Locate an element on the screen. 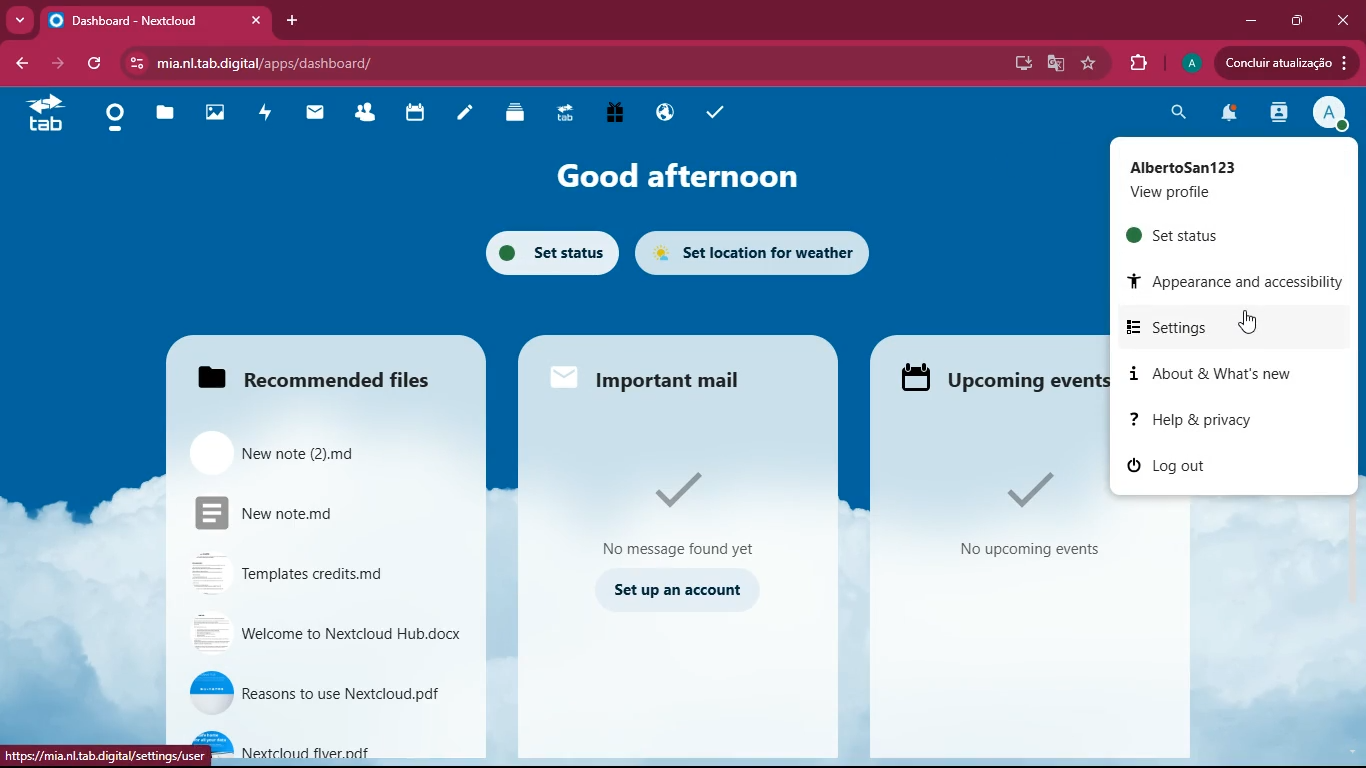 The image size is (1366, 768). settings is located at coordinates (1221, 324).